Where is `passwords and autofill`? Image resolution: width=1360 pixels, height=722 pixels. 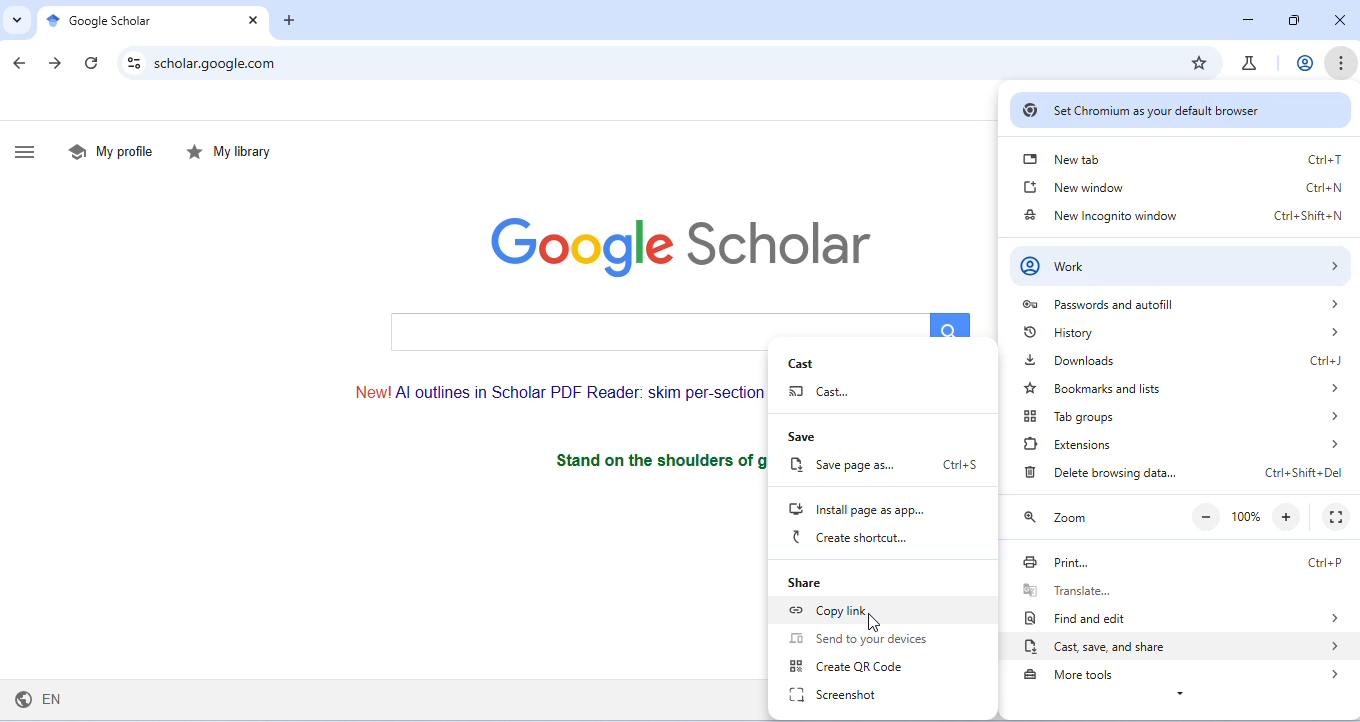 passwords and autofill is located at coordinates (1182, 304).